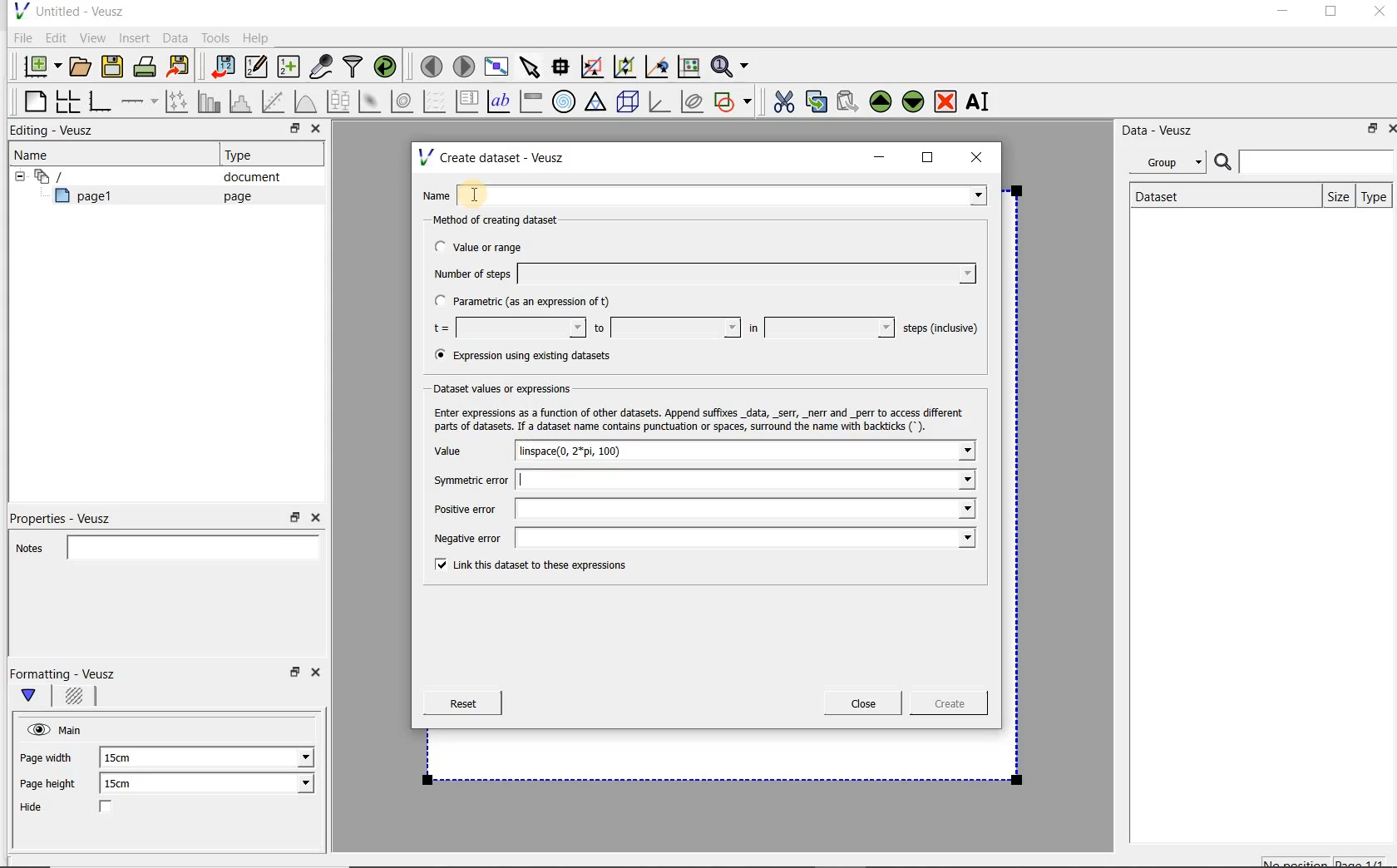  Describe the element at coordinates (91, 199) in the screenshot. I see `page1` at that location.